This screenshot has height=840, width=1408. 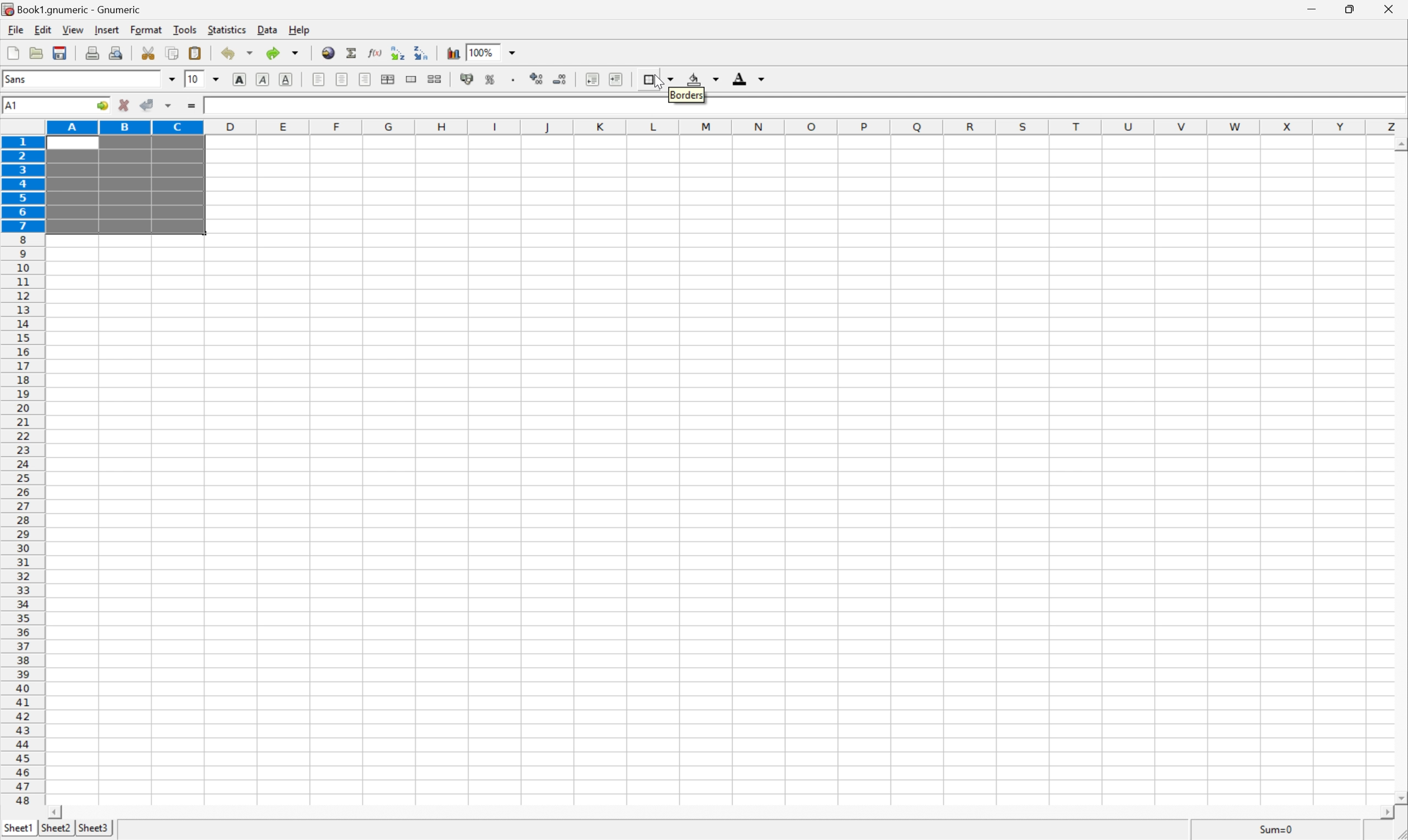 I want to click on cursor on borders, so click(x=653, y=80).